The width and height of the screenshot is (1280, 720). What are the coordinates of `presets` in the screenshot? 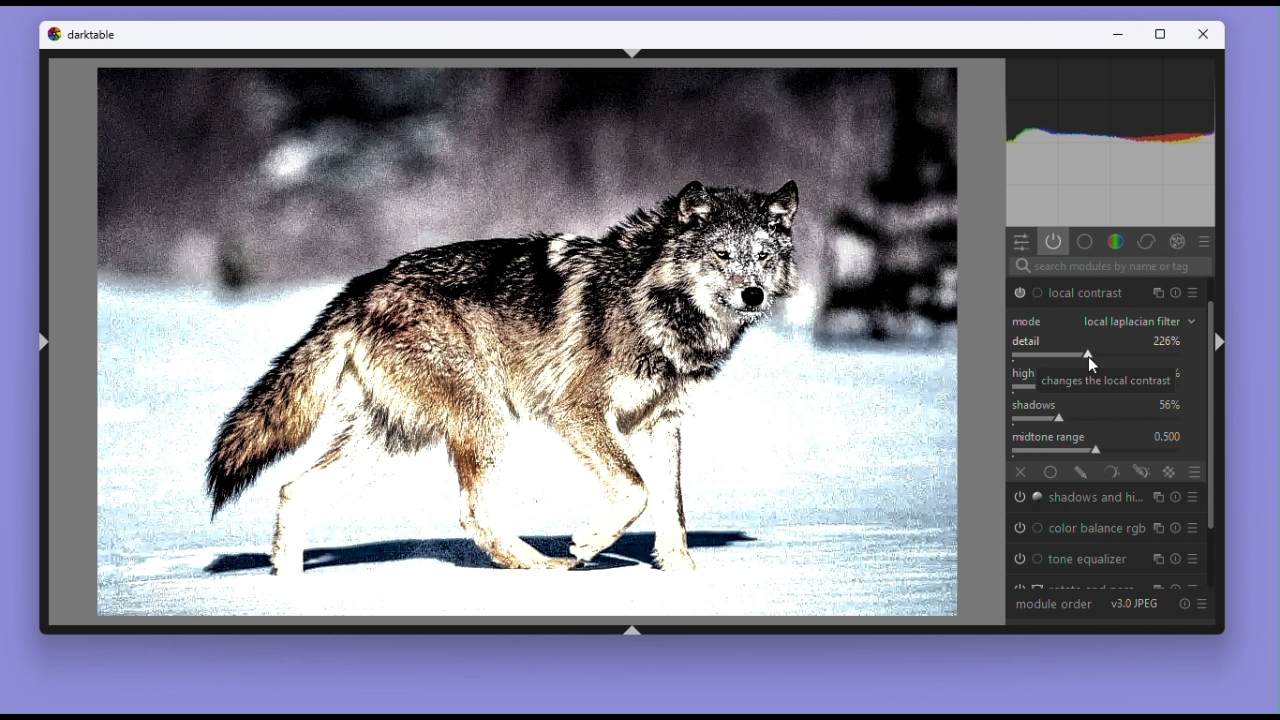 It's located at (1178, 295).